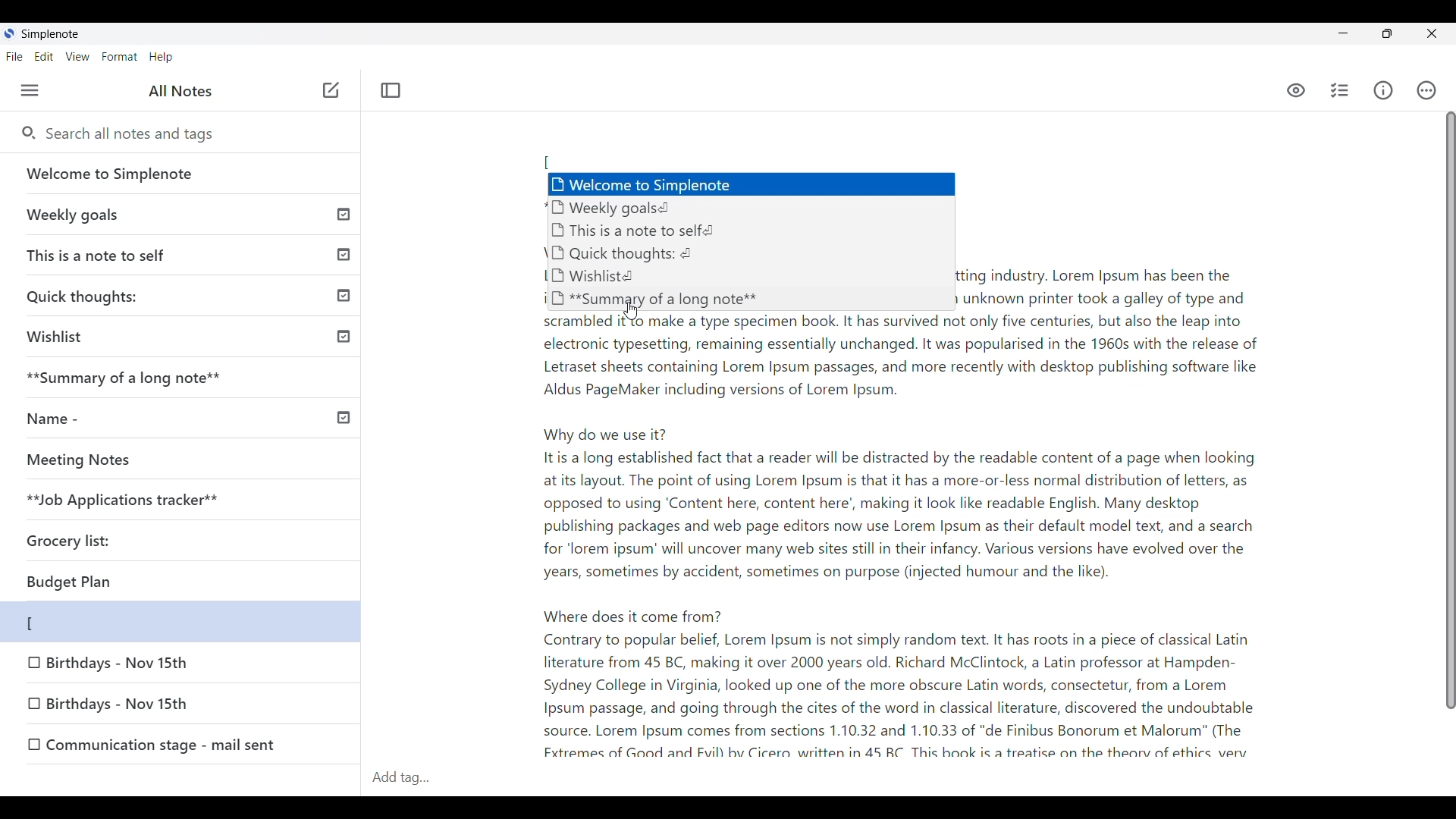  I want to click on Welcome to Simplenote, so click(749, 181).